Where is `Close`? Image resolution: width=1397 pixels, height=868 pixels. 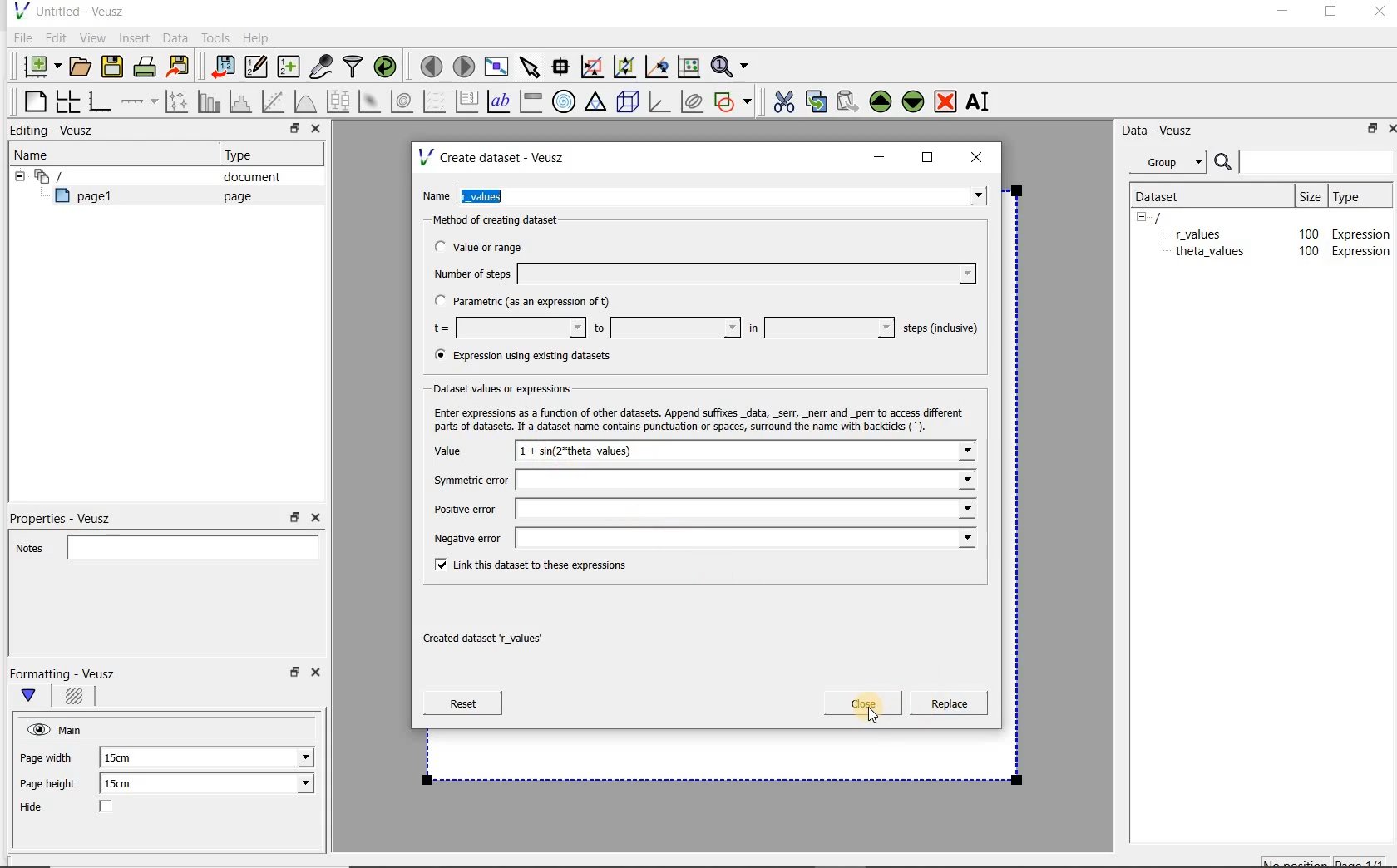
Close is located at coordinates (314, 131).